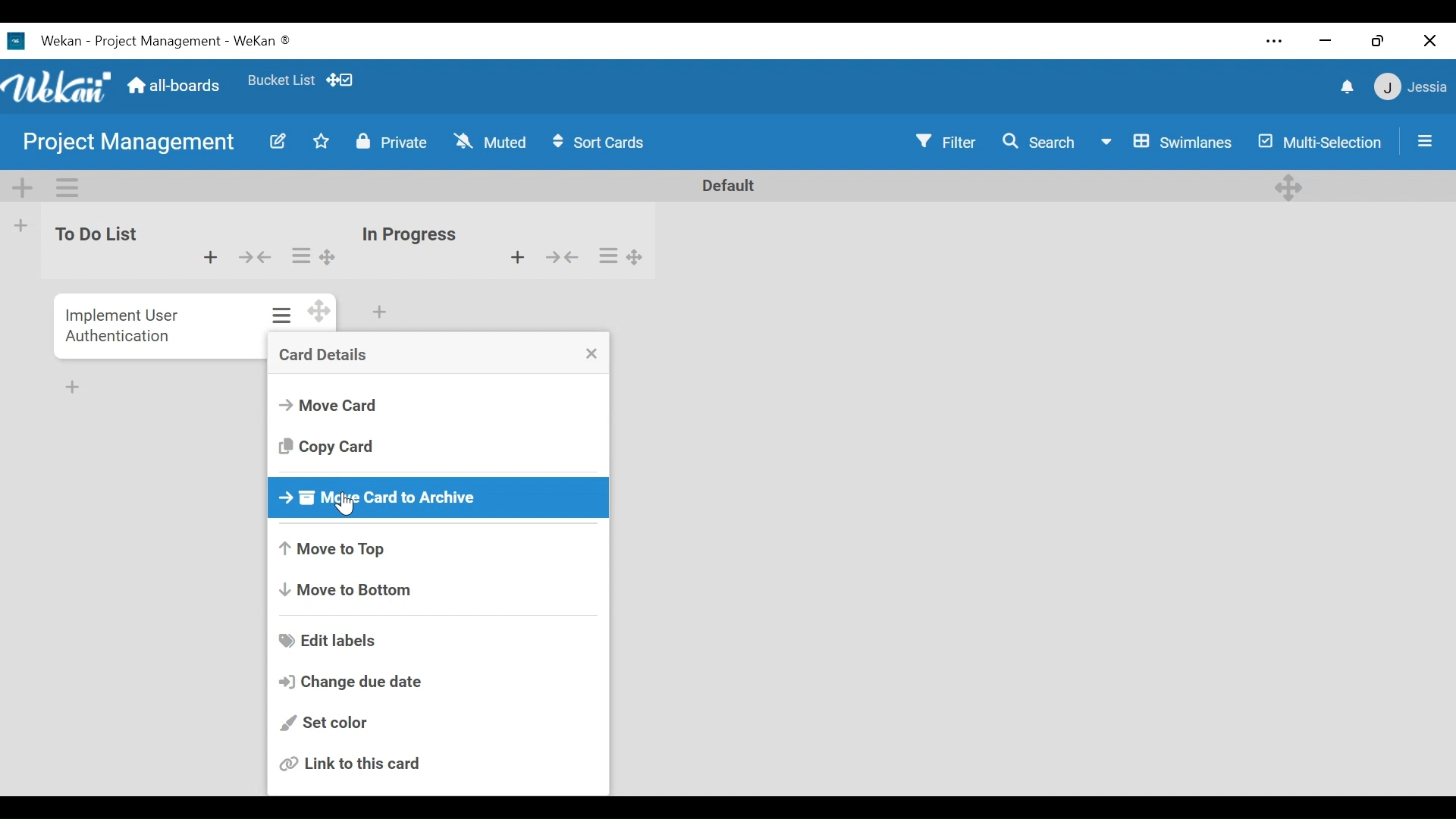 Image resolution: width=1456 pixels, height=819 pixels. I want to click on Change due date, so click(349, 682).